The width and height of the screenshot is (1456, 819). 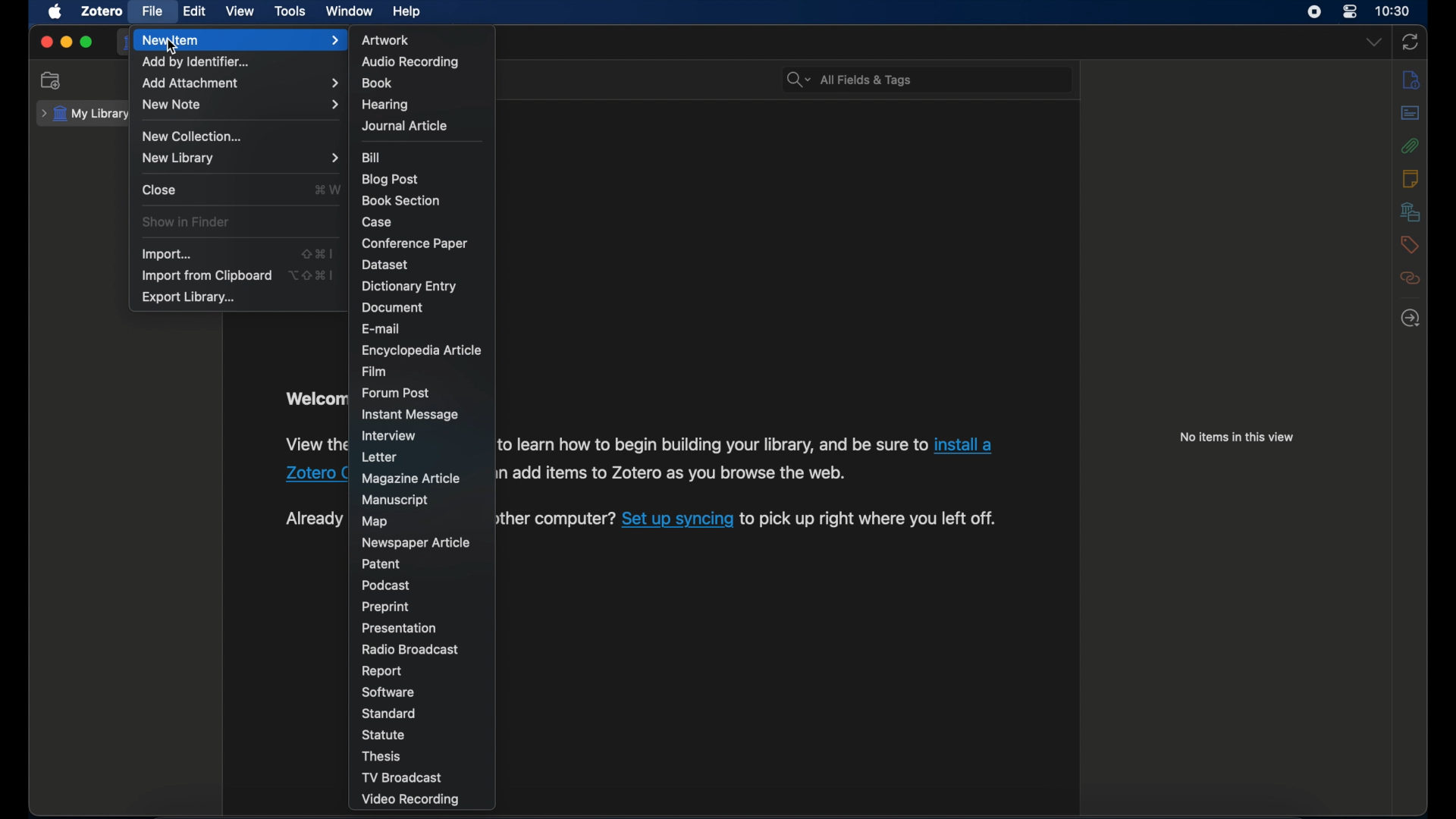 I want to click on patent, so click(x=381, y=564).